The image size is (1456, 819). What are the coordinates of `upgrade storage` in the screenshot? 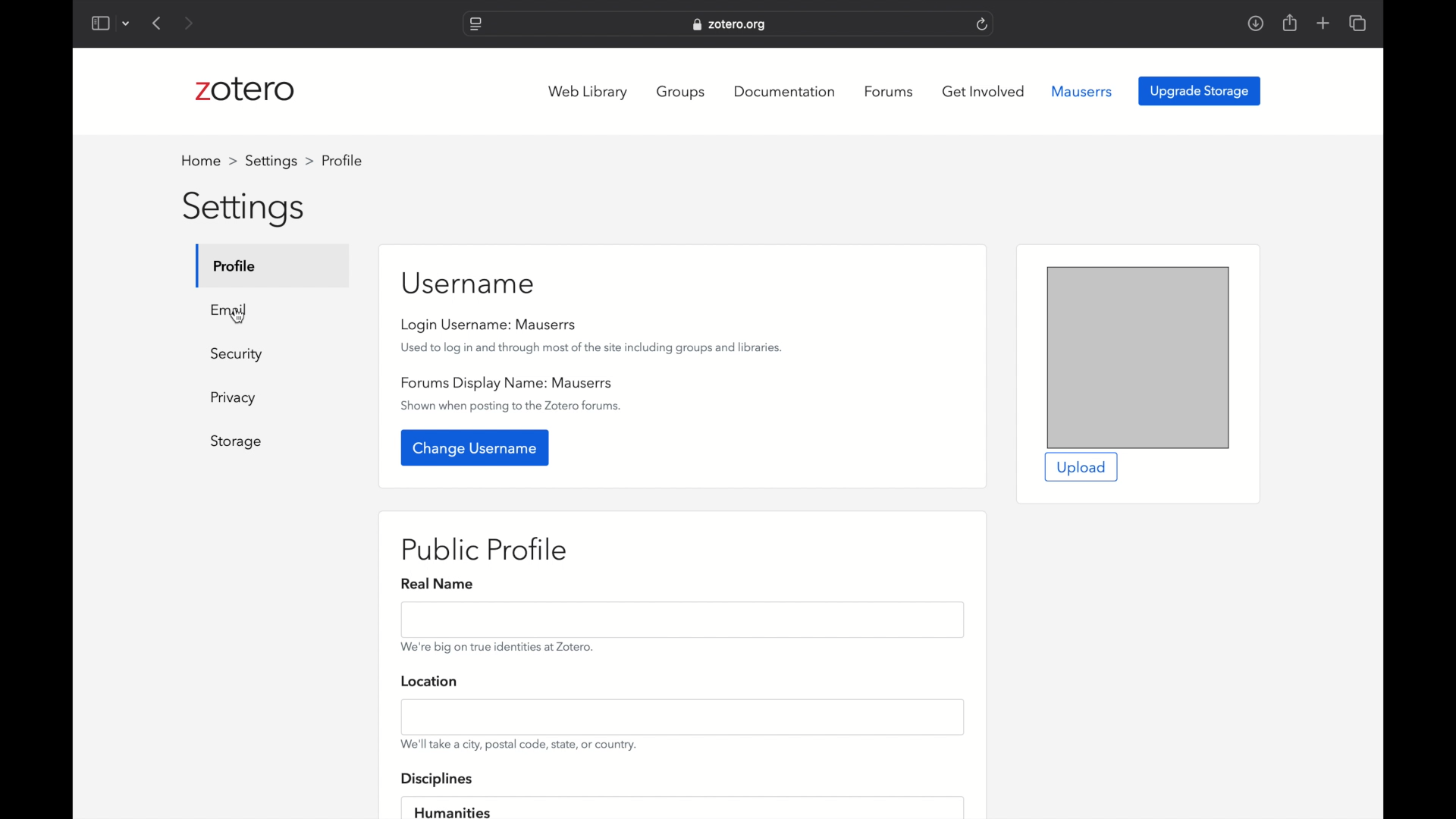 It's located at (1200, 90).